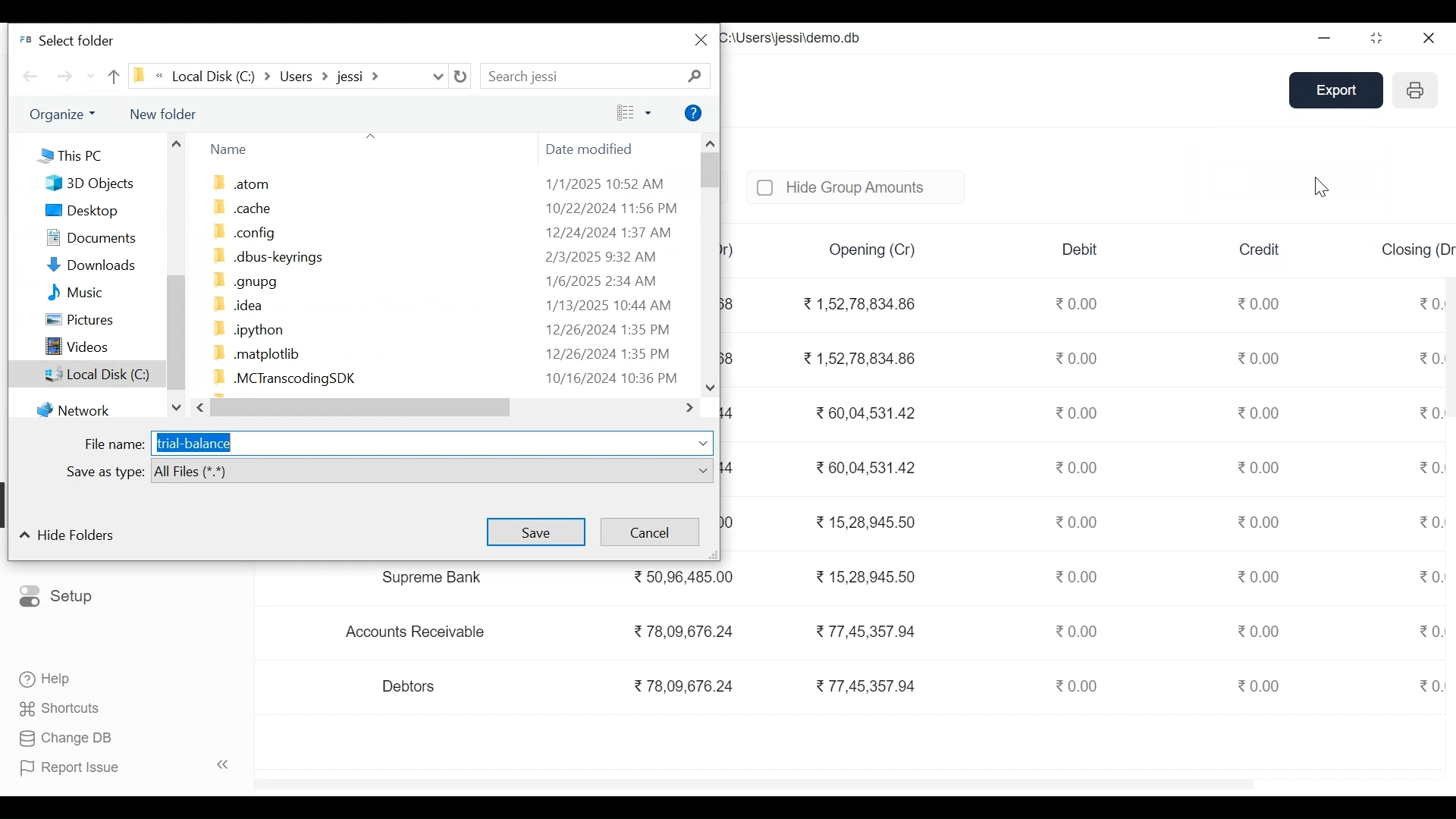 This screenshot has height=819, width=1456. Describe the element at coordinates (863, 629) in the screenshot. I see `77.45.357.94` at that location.